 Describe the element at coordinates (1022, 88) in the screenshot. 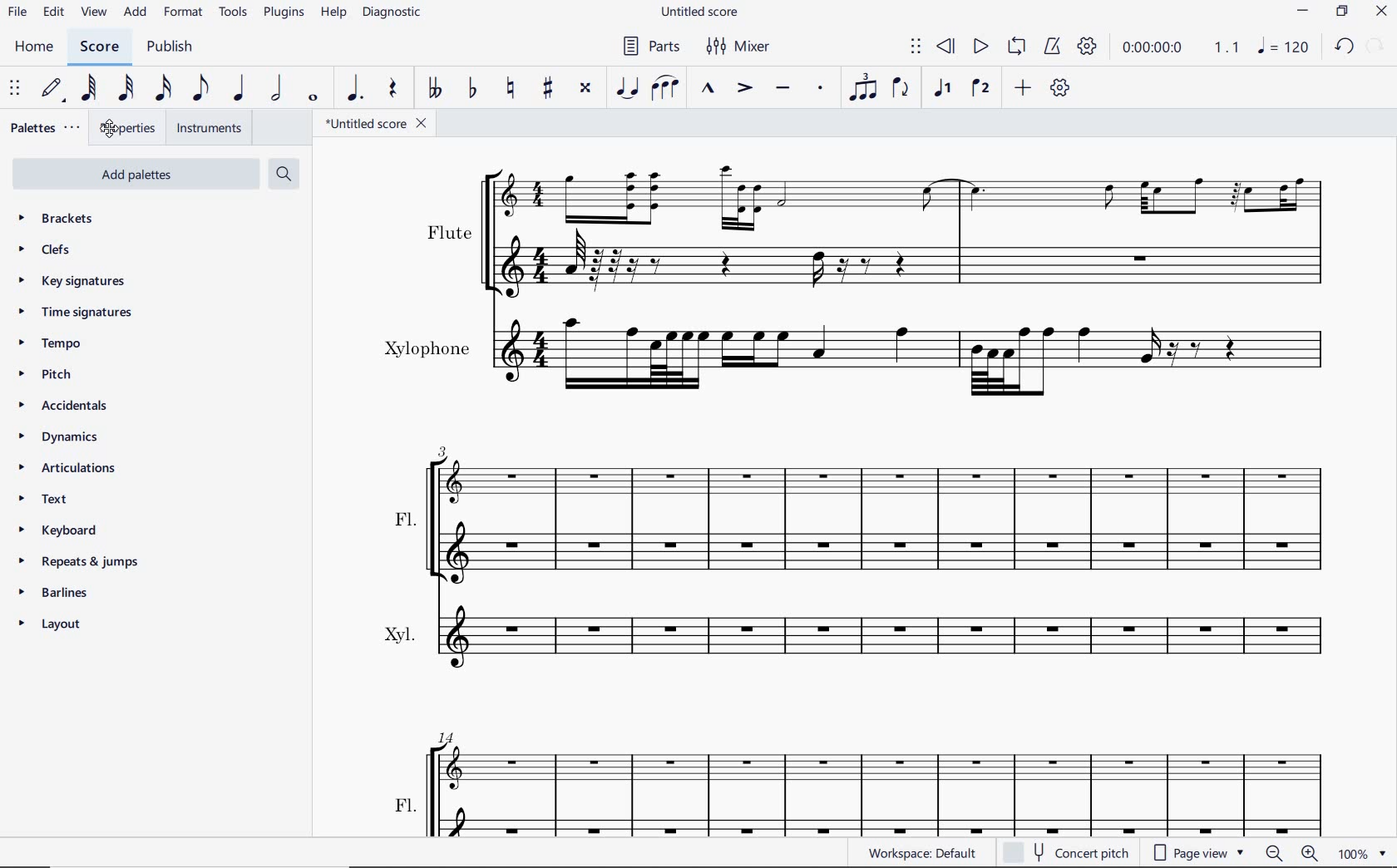

I see `ADD` at that location.